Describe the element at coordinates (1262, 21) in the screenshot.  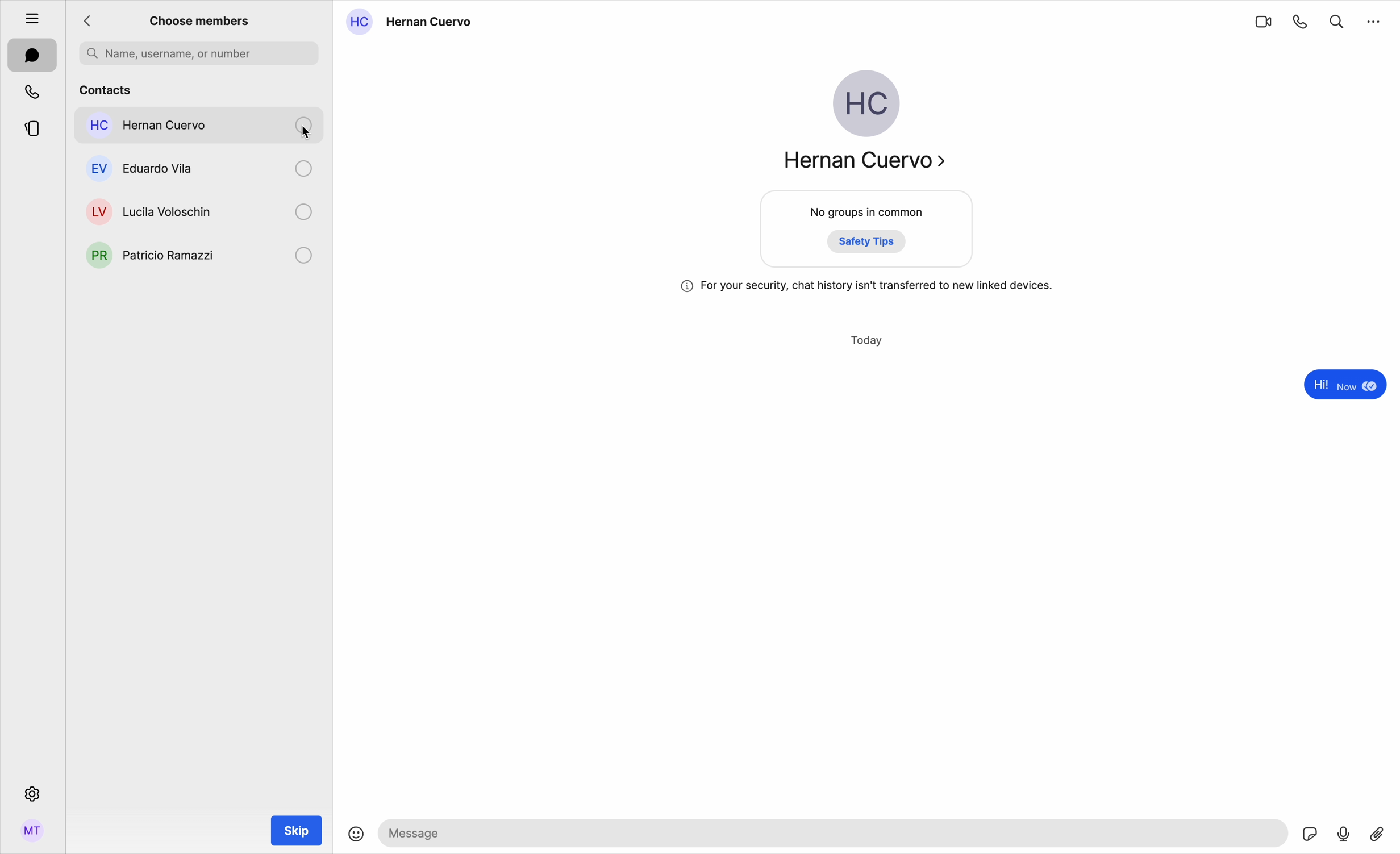
I see `videocall` at that location.